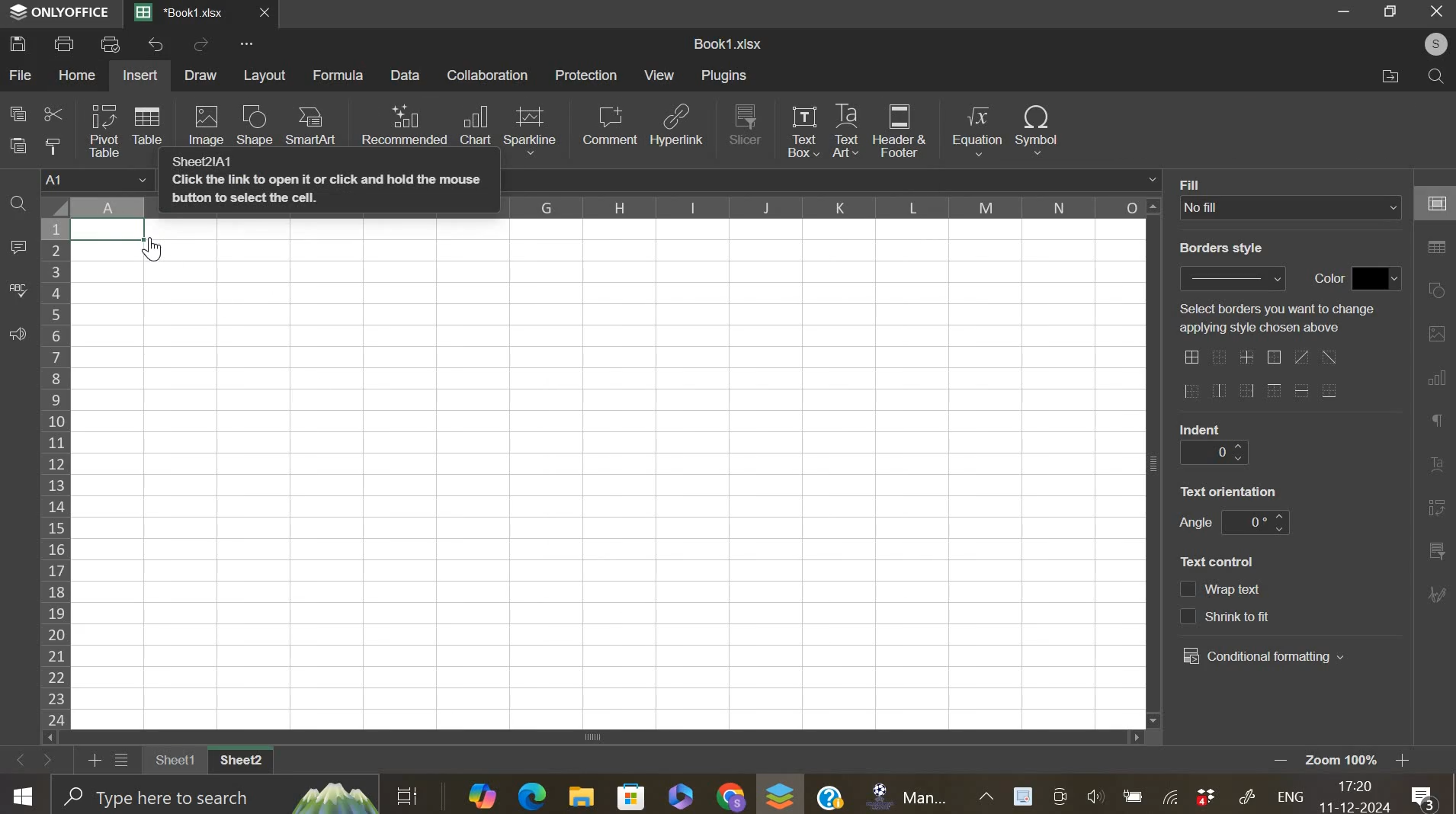  I want to click on border style, so click(1232, 278).